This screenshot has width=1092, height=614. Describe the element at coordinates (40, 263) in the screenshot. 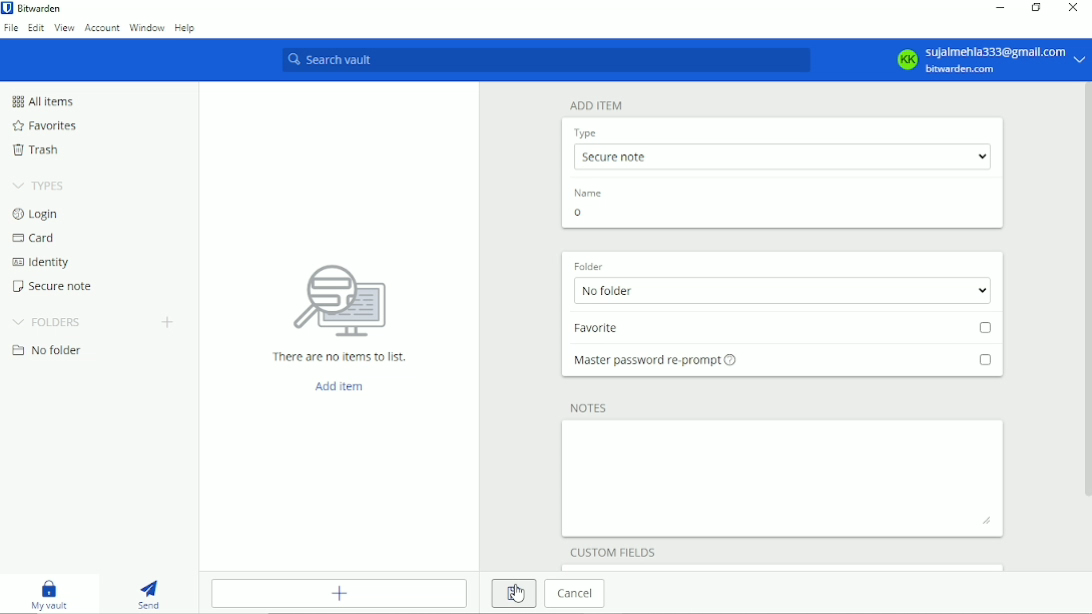

I see `Identity` at that location.